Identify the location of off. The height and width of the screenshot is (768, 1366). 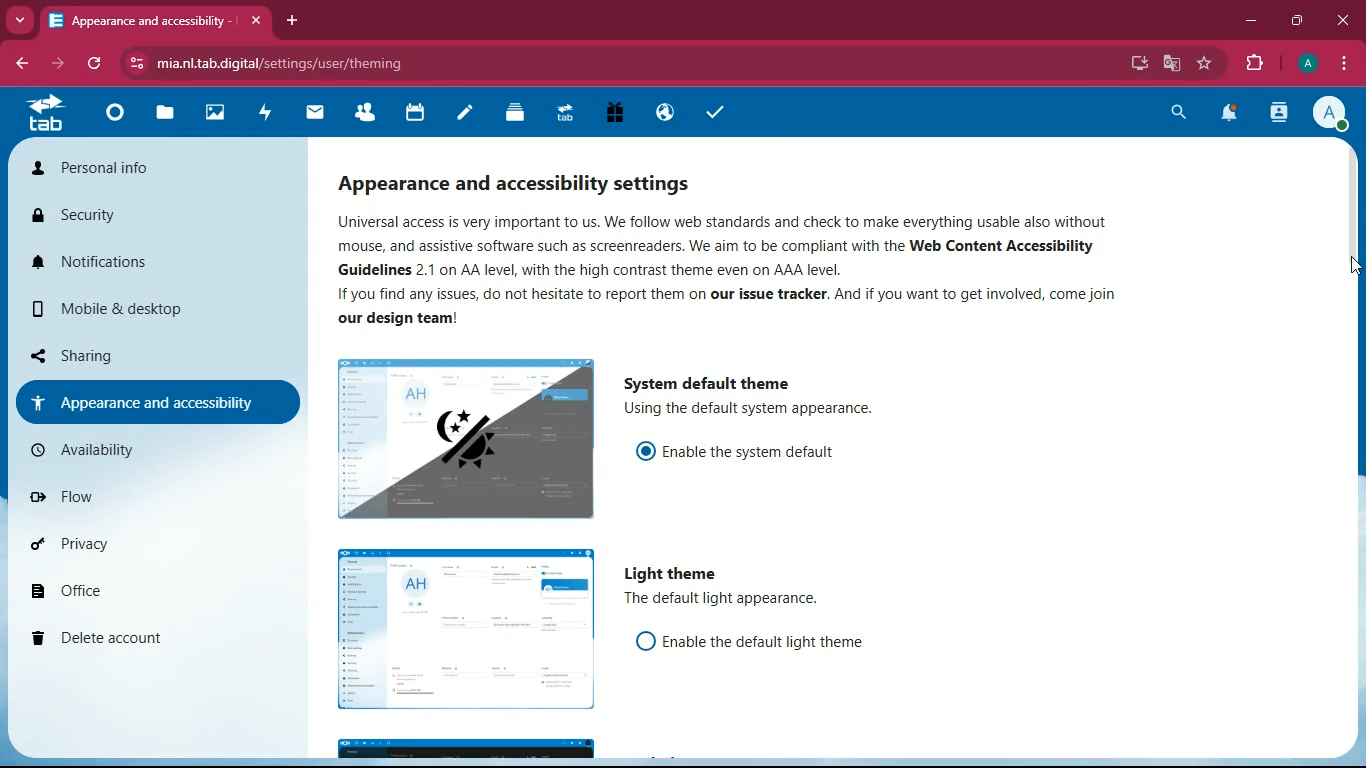
(467, 629).